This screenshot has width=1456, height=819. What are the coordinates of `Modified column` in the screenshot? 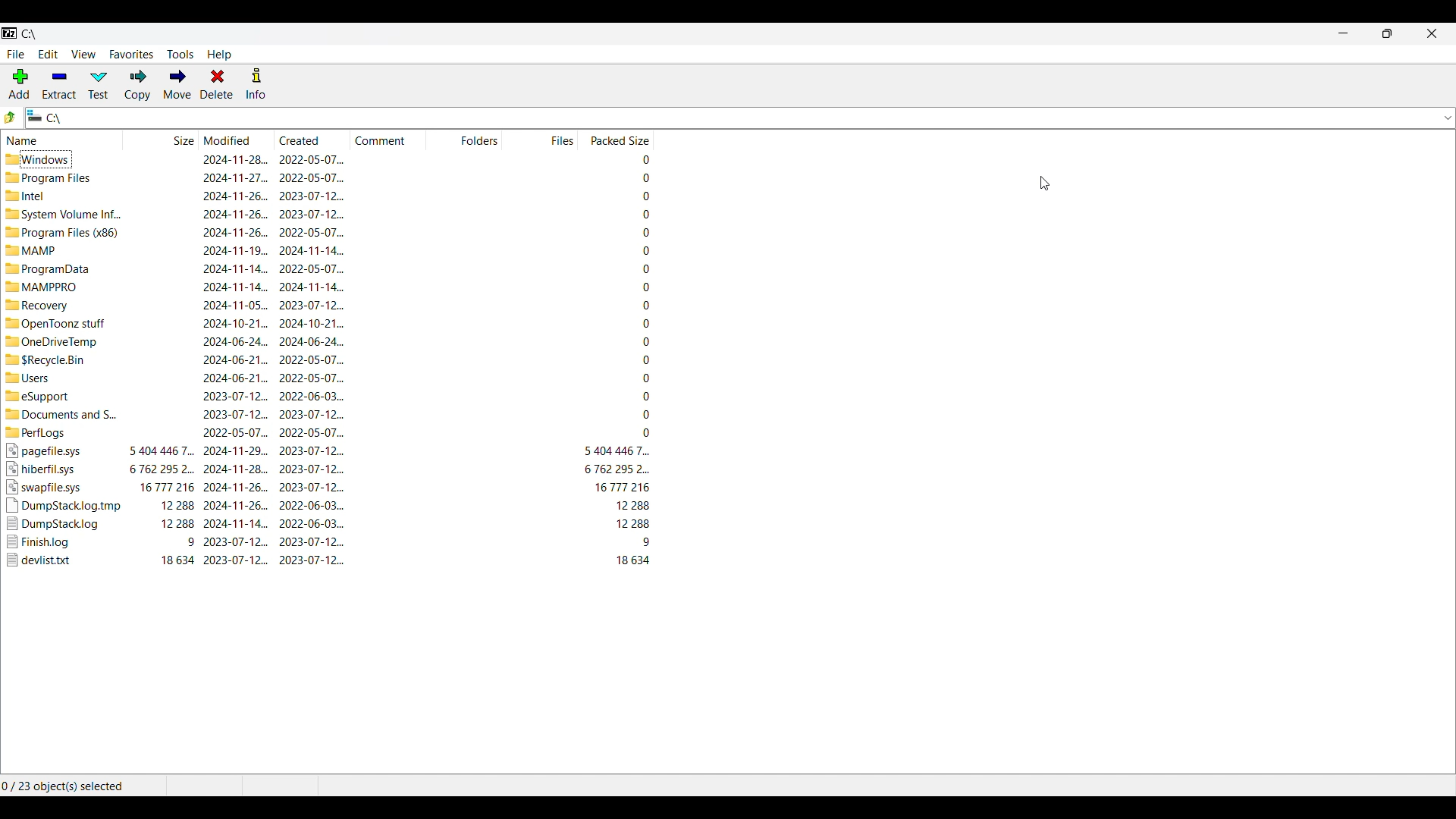 It's located at (238, 140).